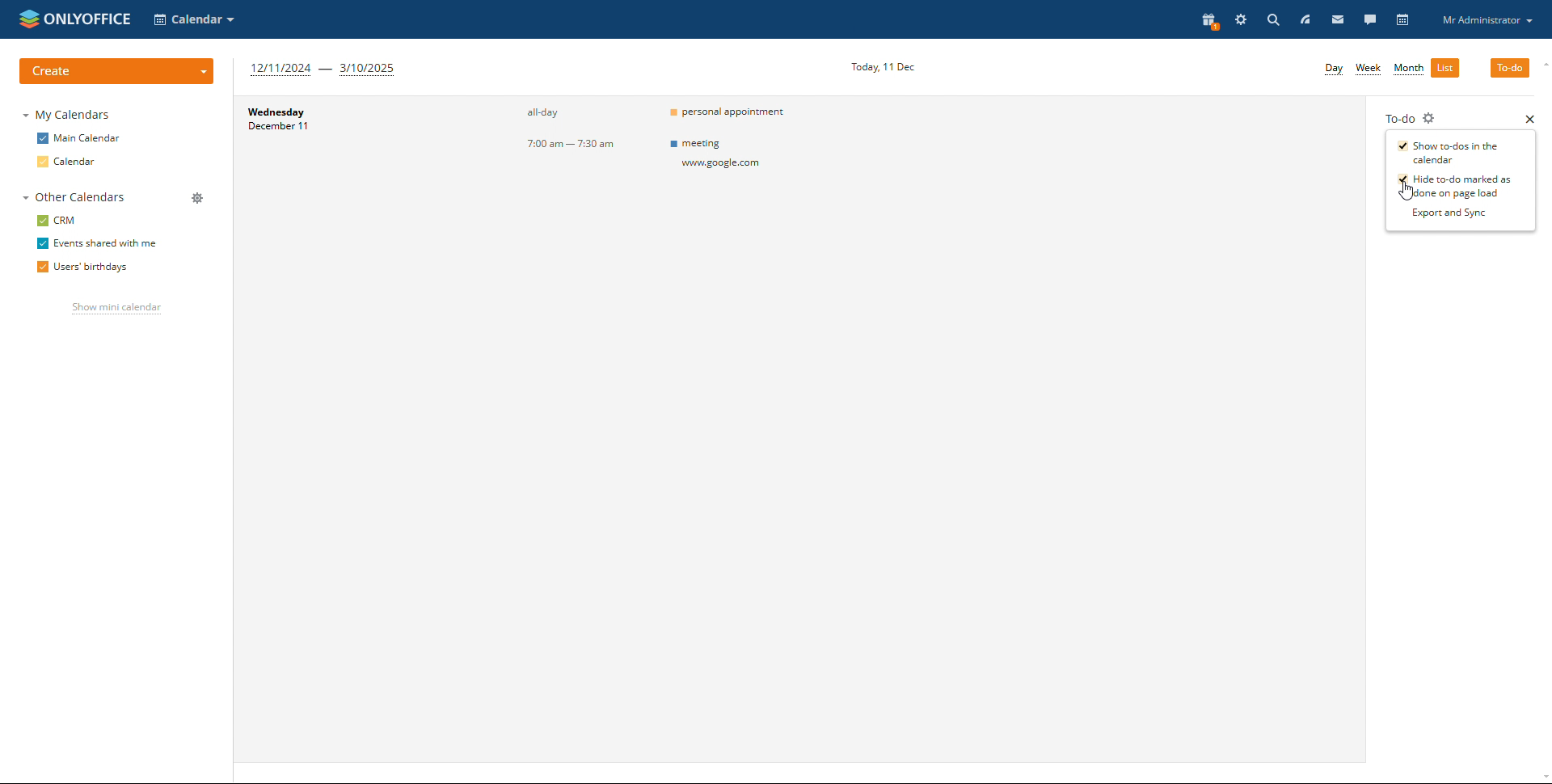  What do you see at coordinates (1242, 20) in the screenshot?
I see `settings` at bounding box center [1242, 20].